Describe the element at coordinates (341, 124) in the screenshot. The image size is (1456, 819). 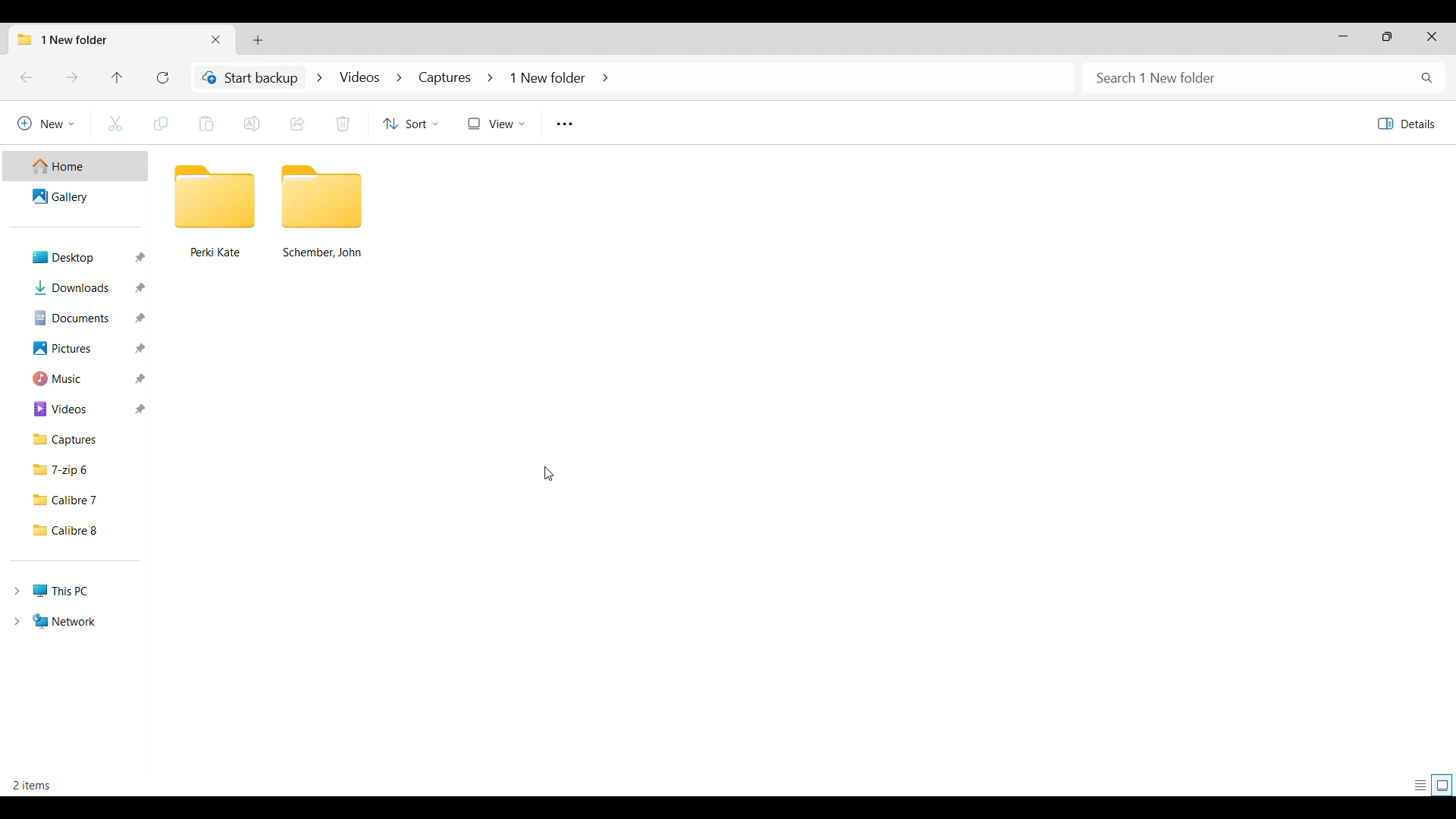
I see `Delete` at that location.